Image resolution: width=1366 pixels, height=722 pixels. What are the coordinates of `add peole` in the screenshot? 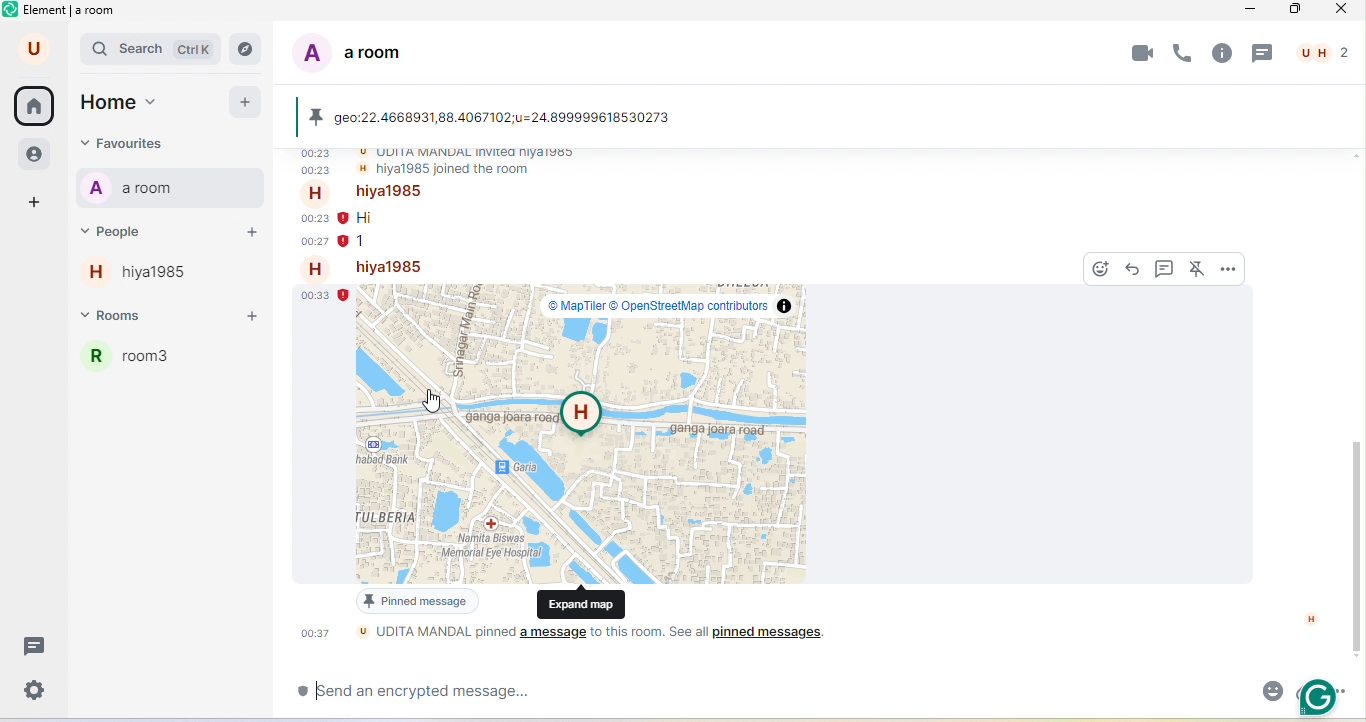 It's located at (250, 236).